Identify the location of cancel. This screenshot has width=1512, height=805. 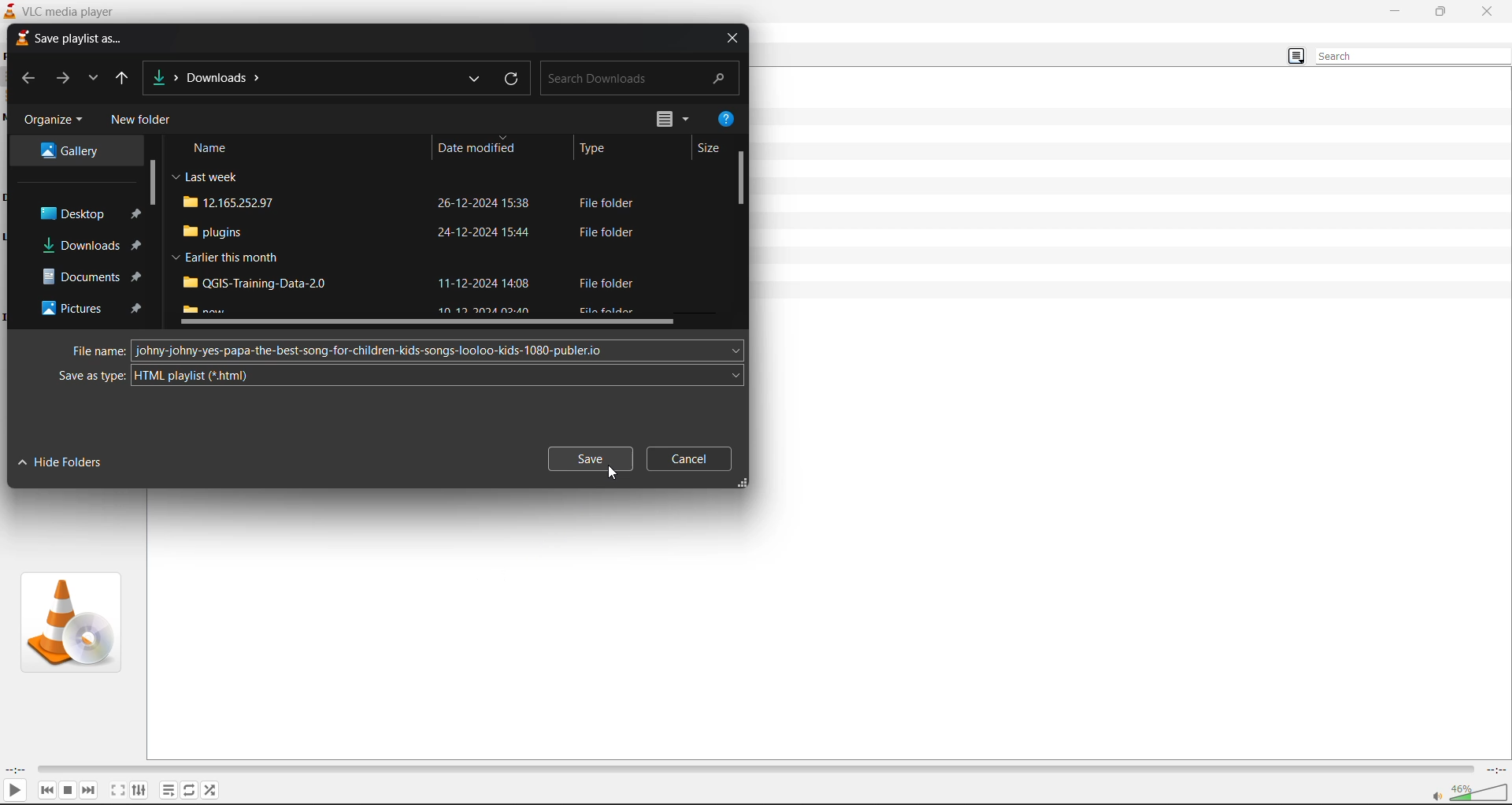
(691, 459).